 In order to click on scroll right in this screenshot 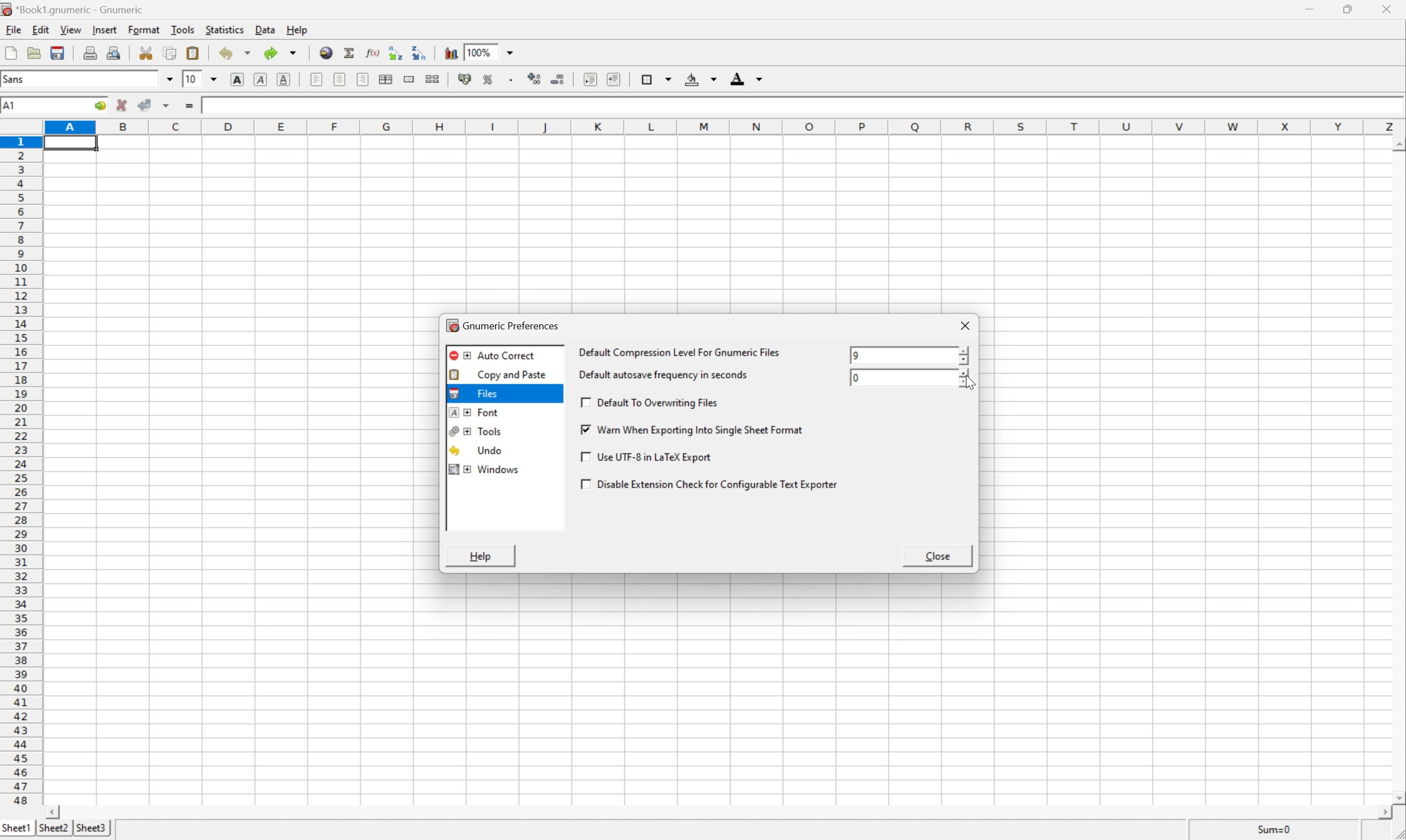, I will do `click(1374, 812)`.